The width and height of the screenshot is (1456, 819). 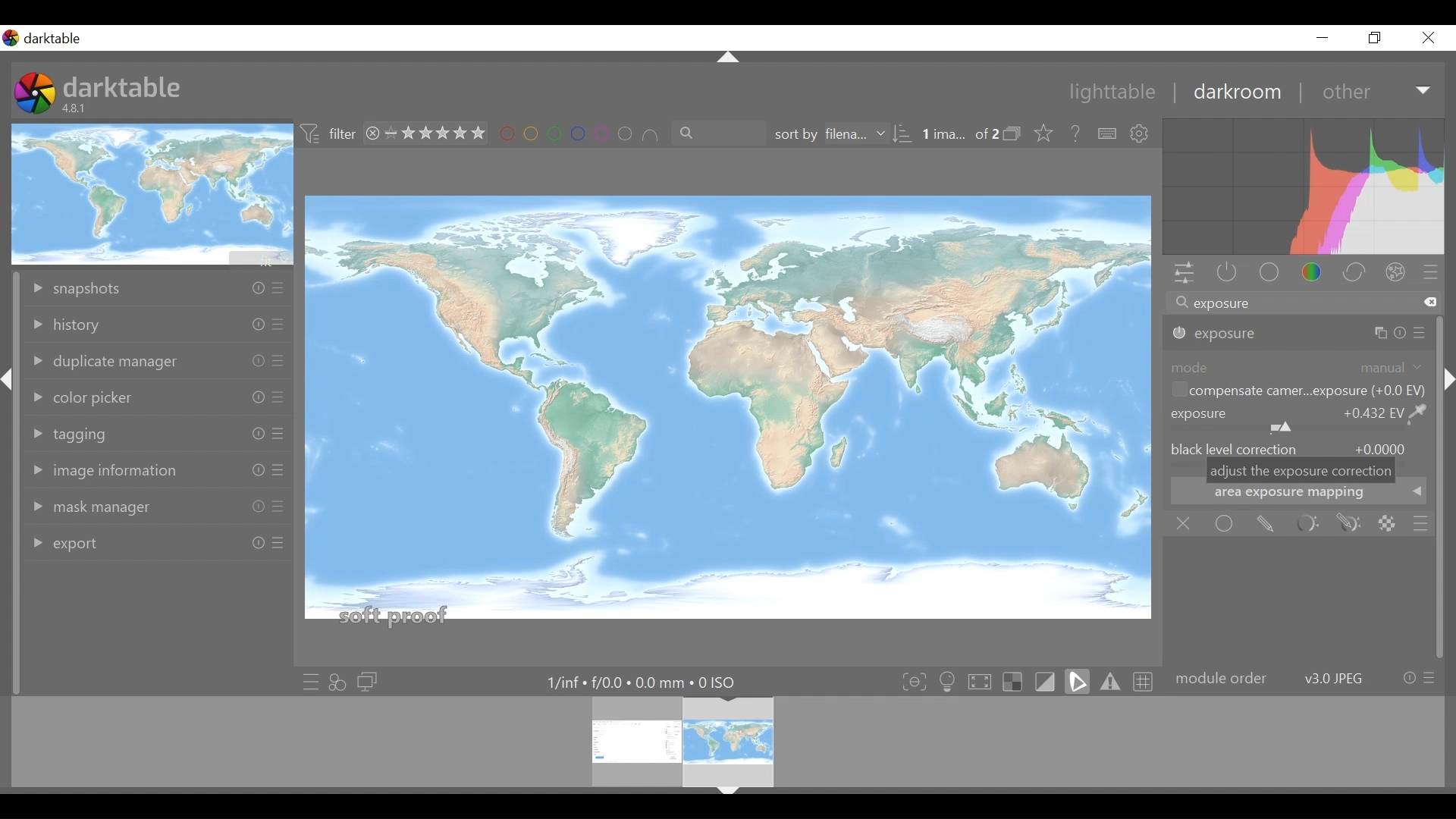 I want to click on filter, so click(x=329, y=134).